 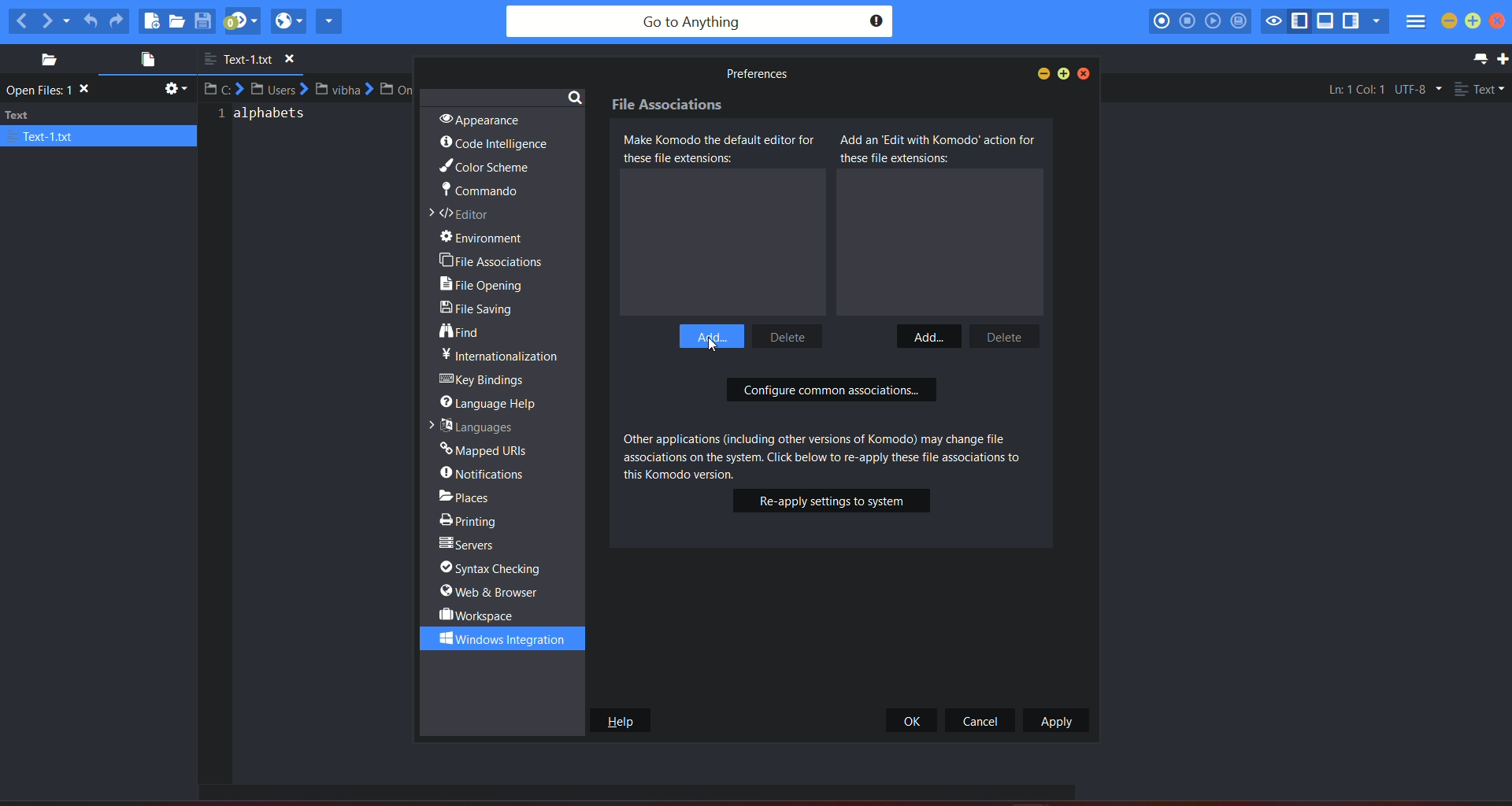 What do you see at coordinates (479, 193) in the screenshot?
I see `commando` at bounding box center [479, 193].